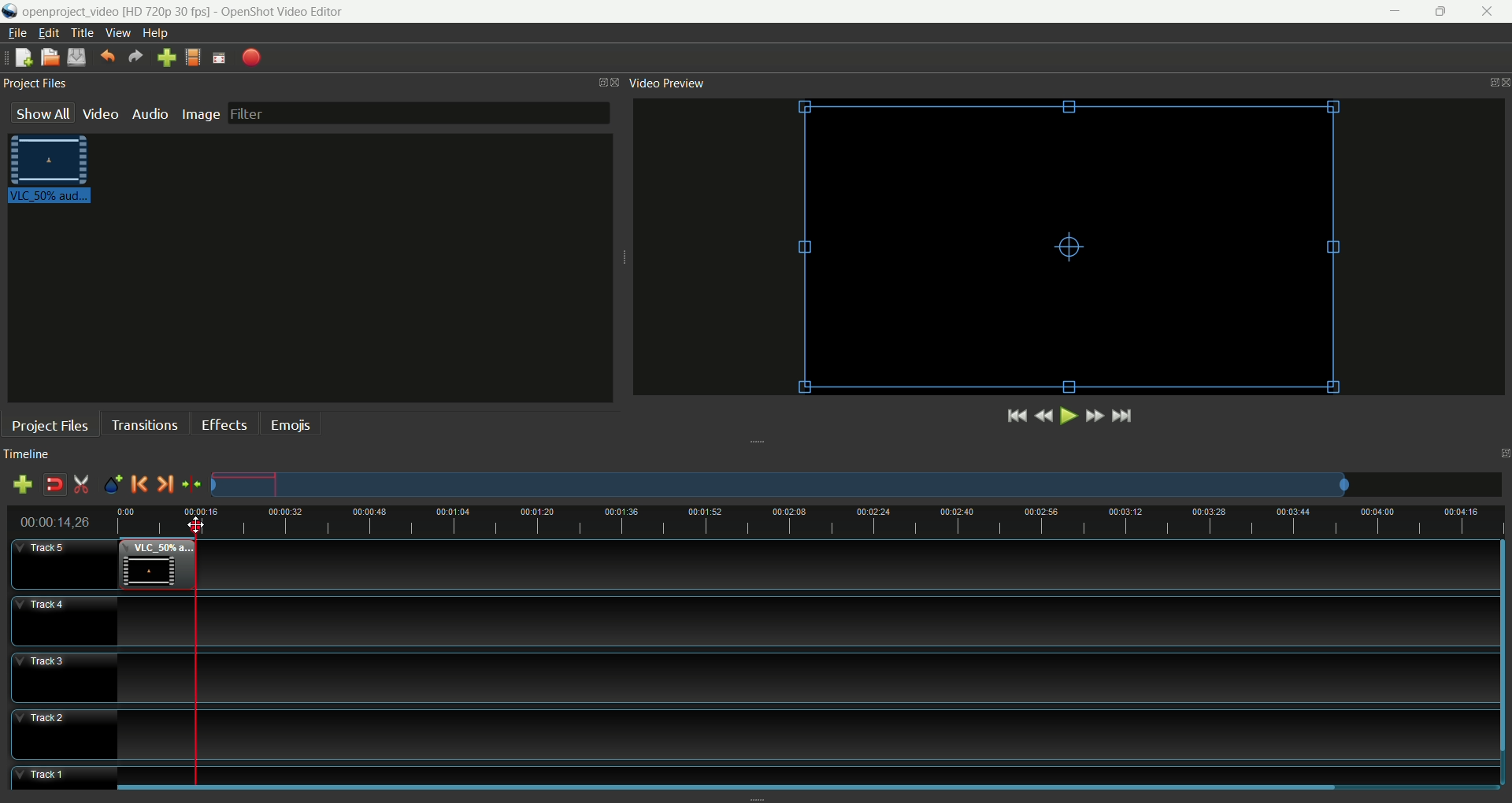 The width and height of the screenshot is (1512, 803). Describe the element at coordinates (157, 565) in the screenshot. I see `video clip` at that location.